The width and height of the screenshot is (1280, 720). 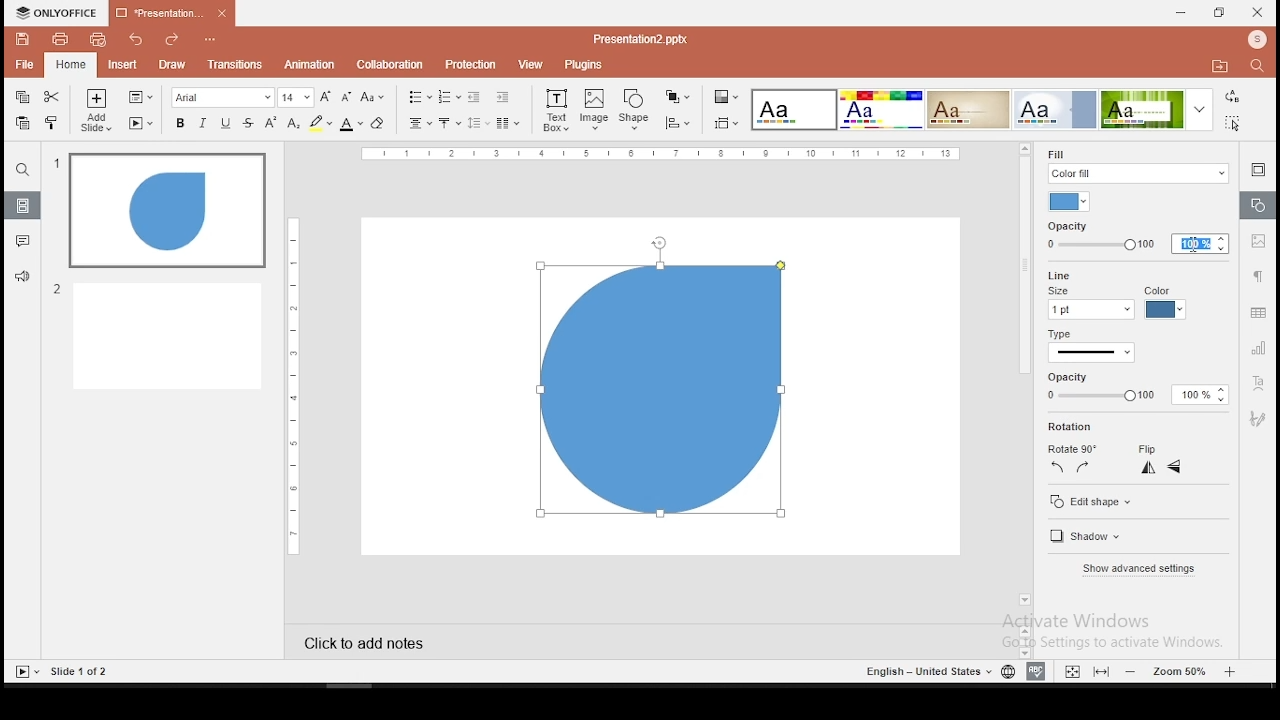 What do you see at coordinates (1101, 672) in the screenshot?
I see `fit to slide` at bounding box center [1101, 672].